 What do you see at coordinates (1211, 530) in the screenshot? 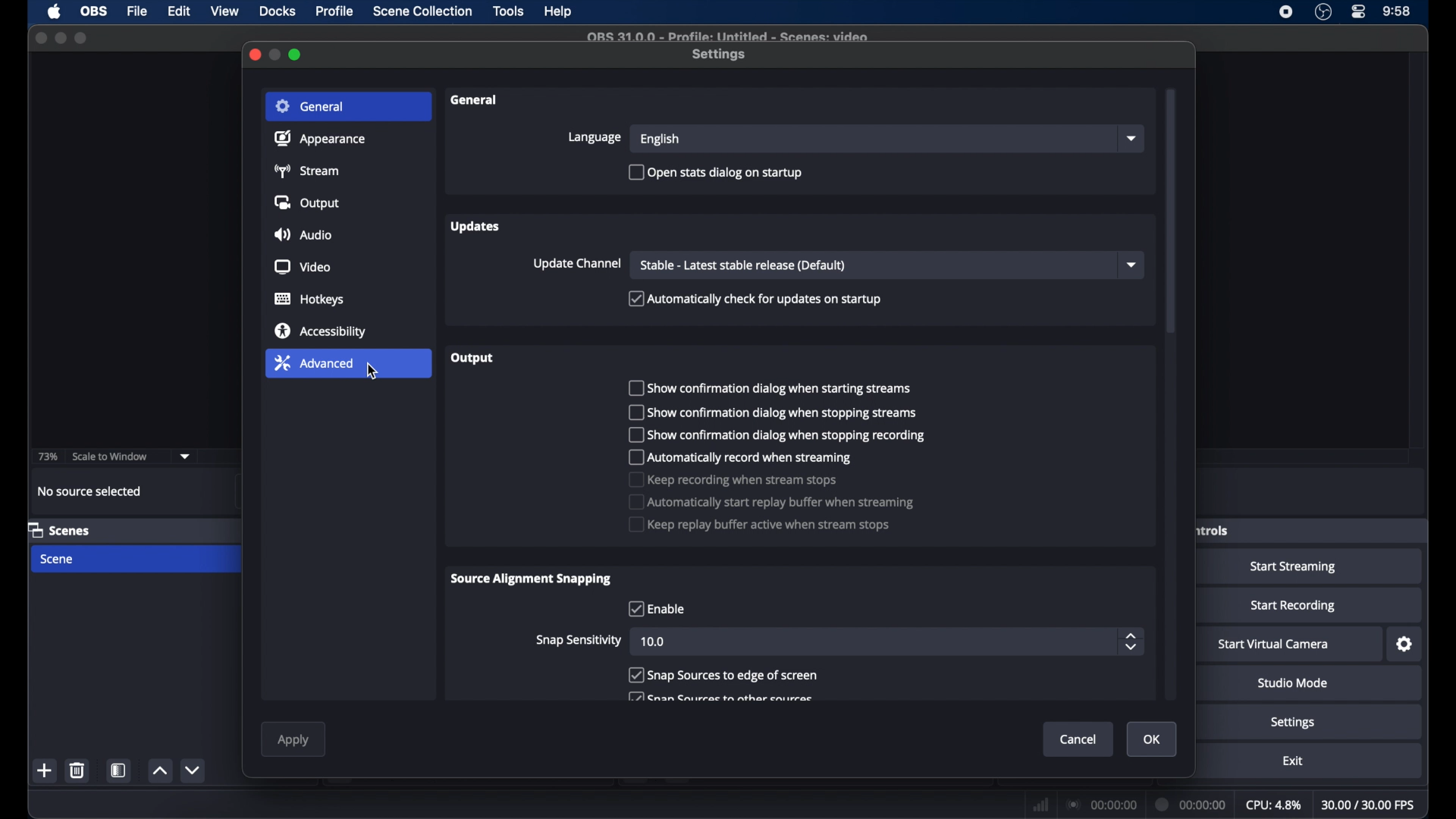
I see `obscure label` at bounding box center [1211, 530].